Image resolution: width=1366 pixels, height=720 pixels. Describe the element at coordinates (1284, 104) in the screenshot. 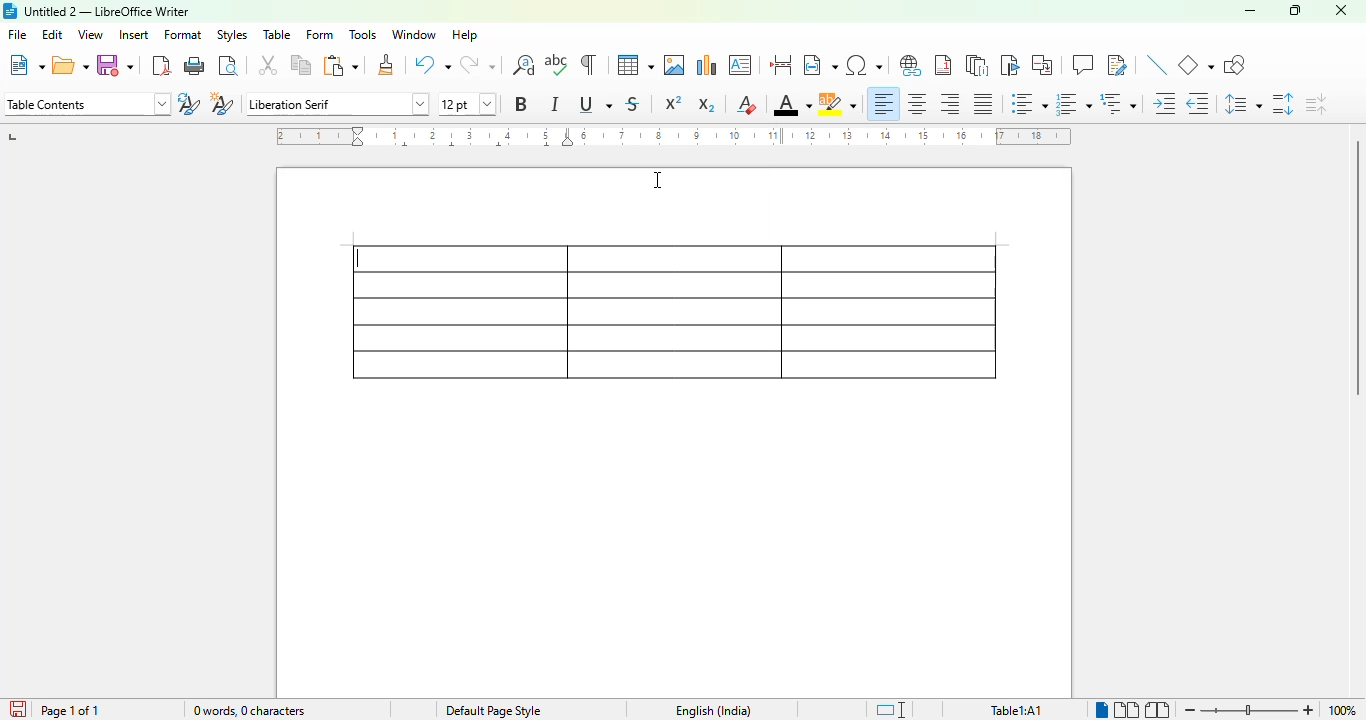

I see `increase paragraph spacing` at that location.